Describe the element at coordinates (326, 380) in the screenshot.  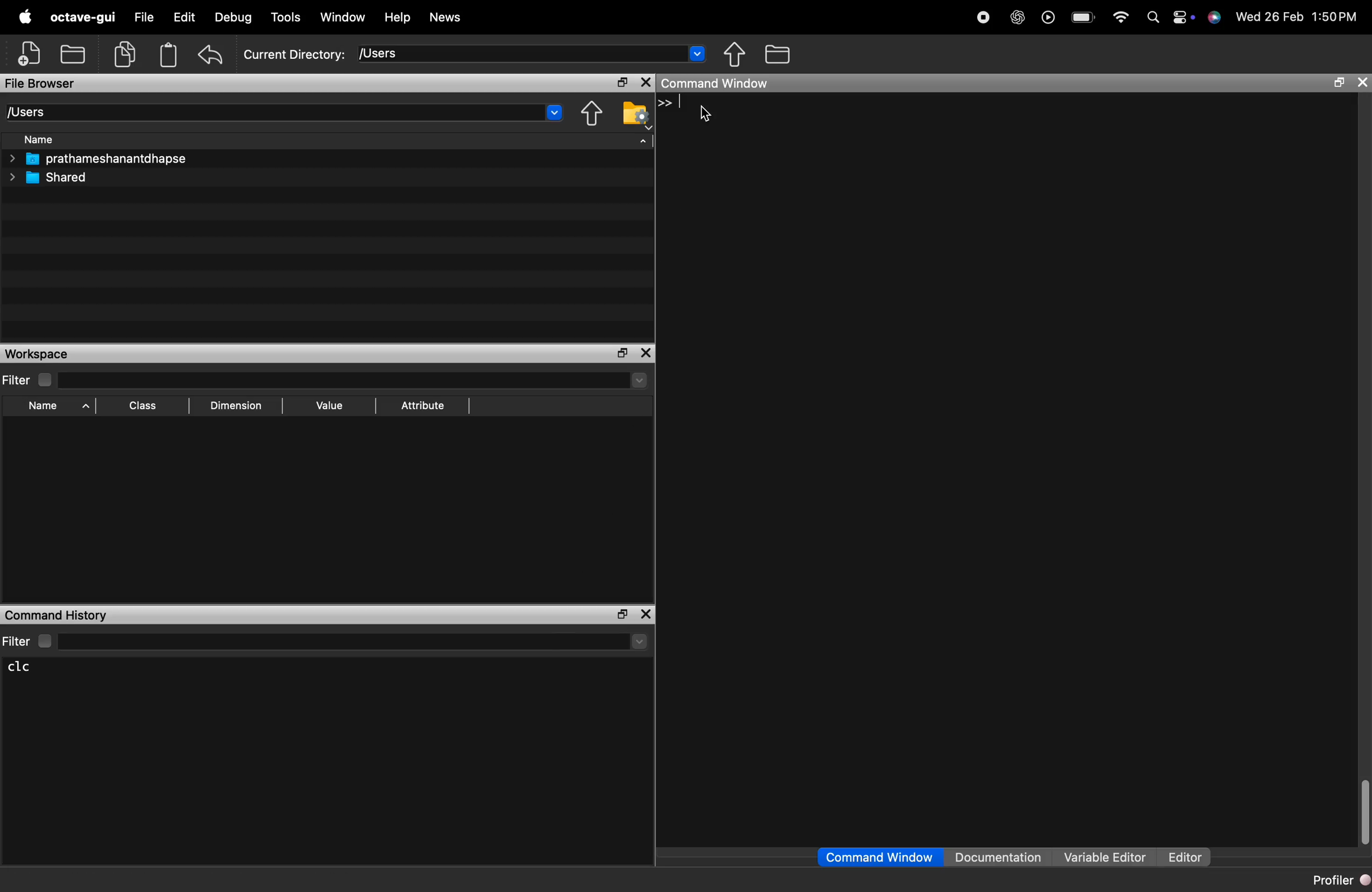
I see `filter` at that location.